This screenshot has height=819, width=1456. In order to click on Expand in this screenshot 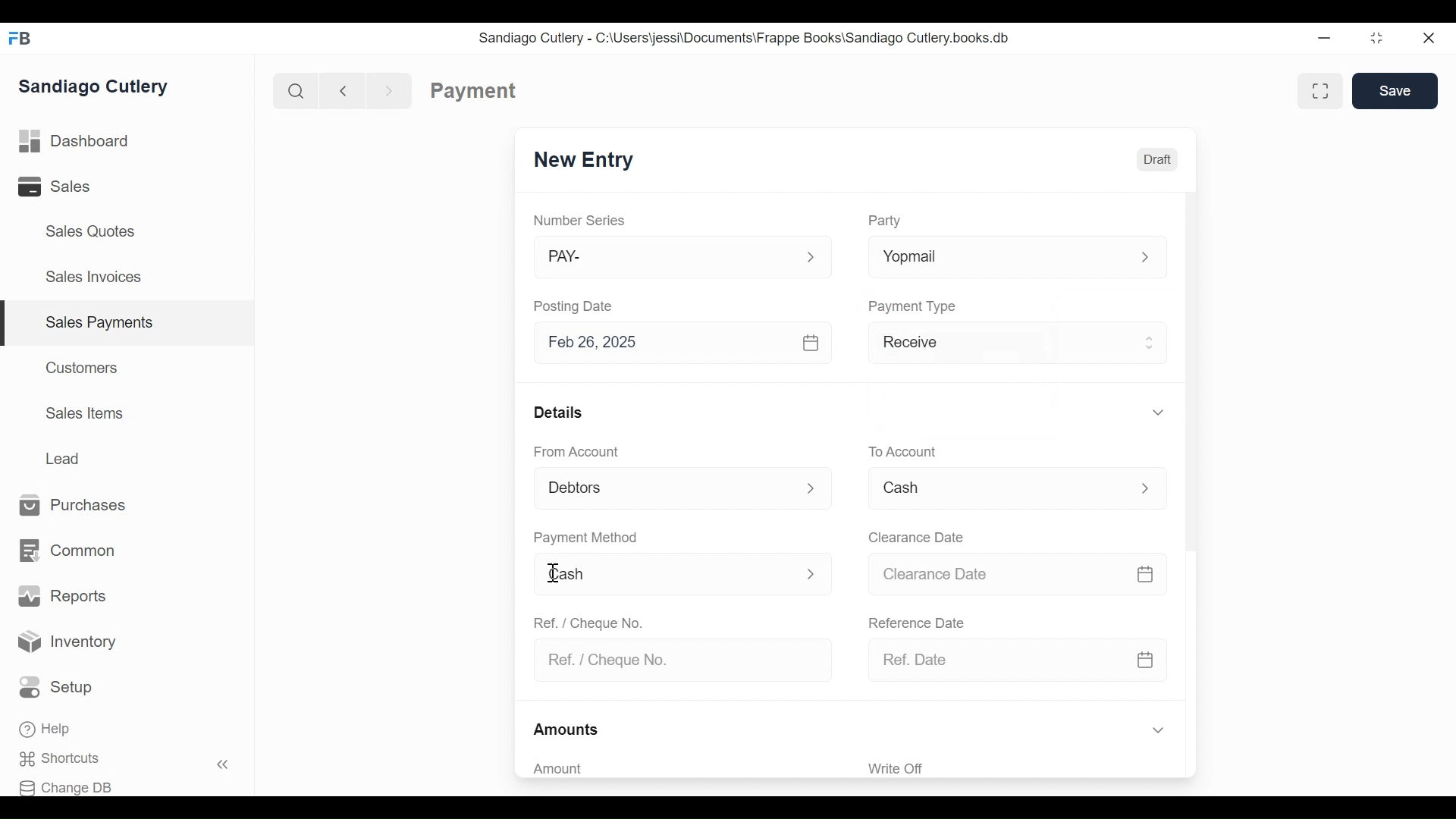, I will do `click(1151, 340)`.